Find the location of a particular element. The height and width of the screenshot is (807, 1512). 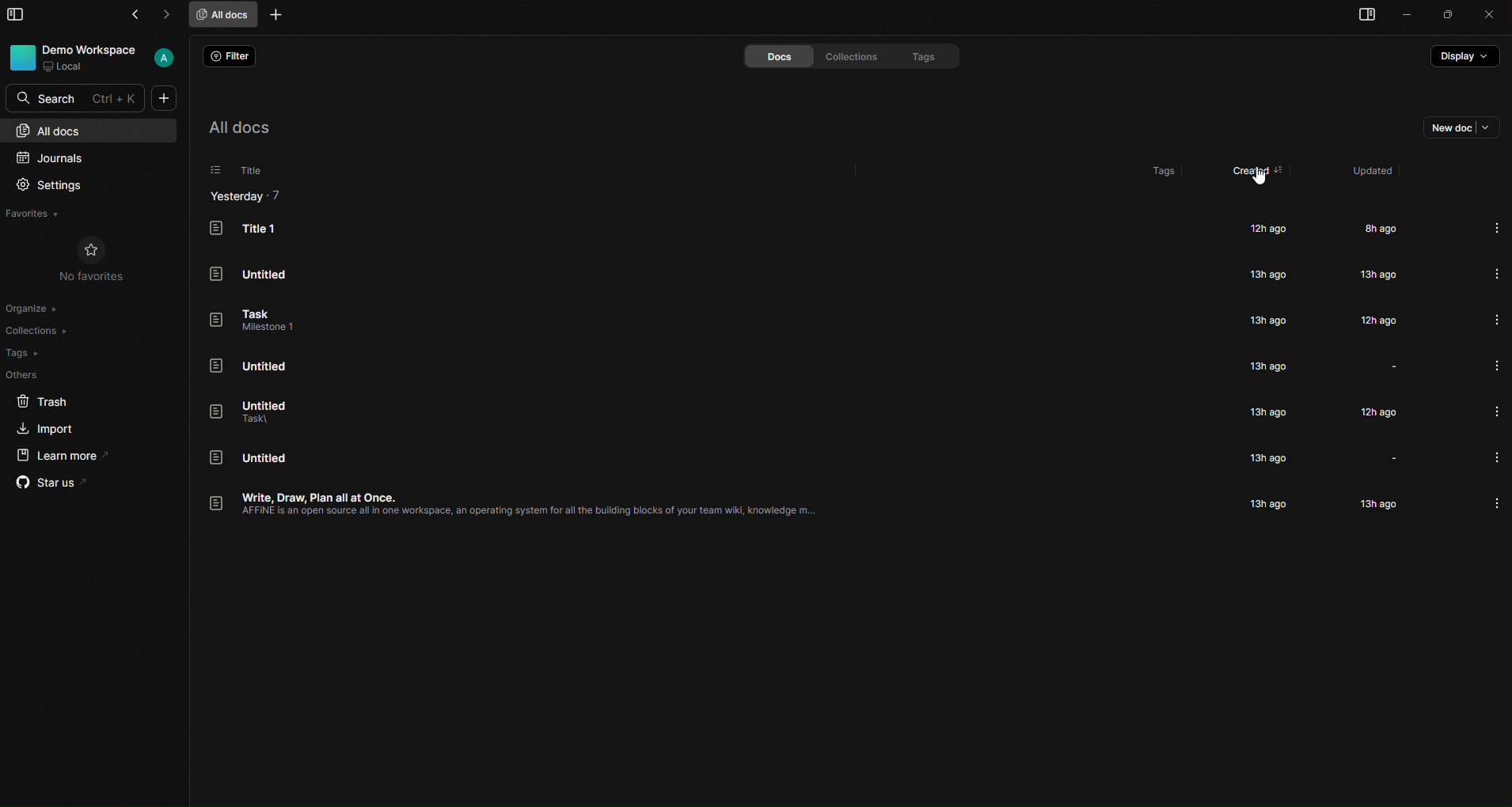

right pane is located at coordinates (1358, 16).